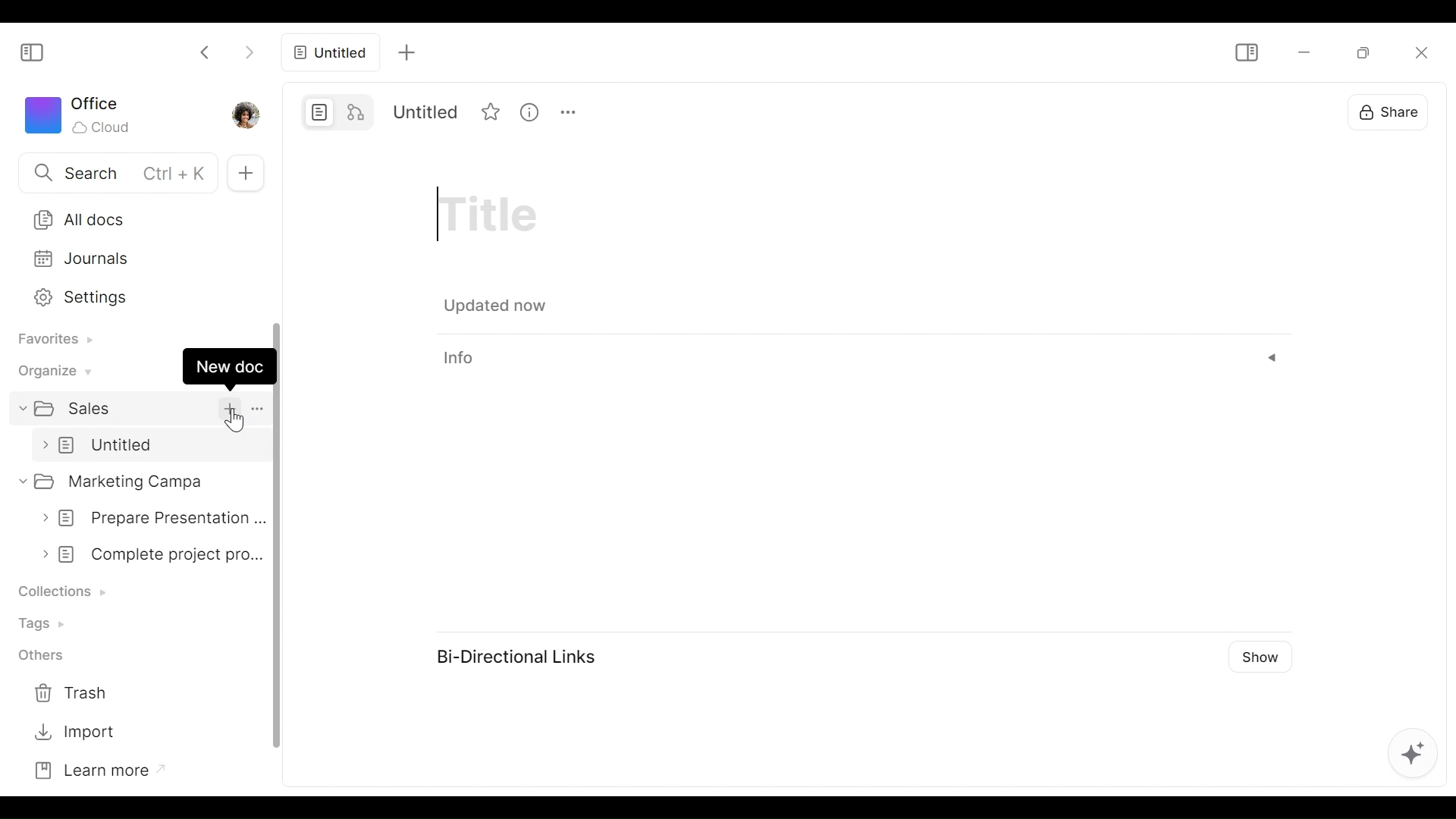 This screenshot has height=819, width=1456. What do you see at coordinates (330, 53) in the screenshot?
I see `all docs` at bounding box center [330, 53].